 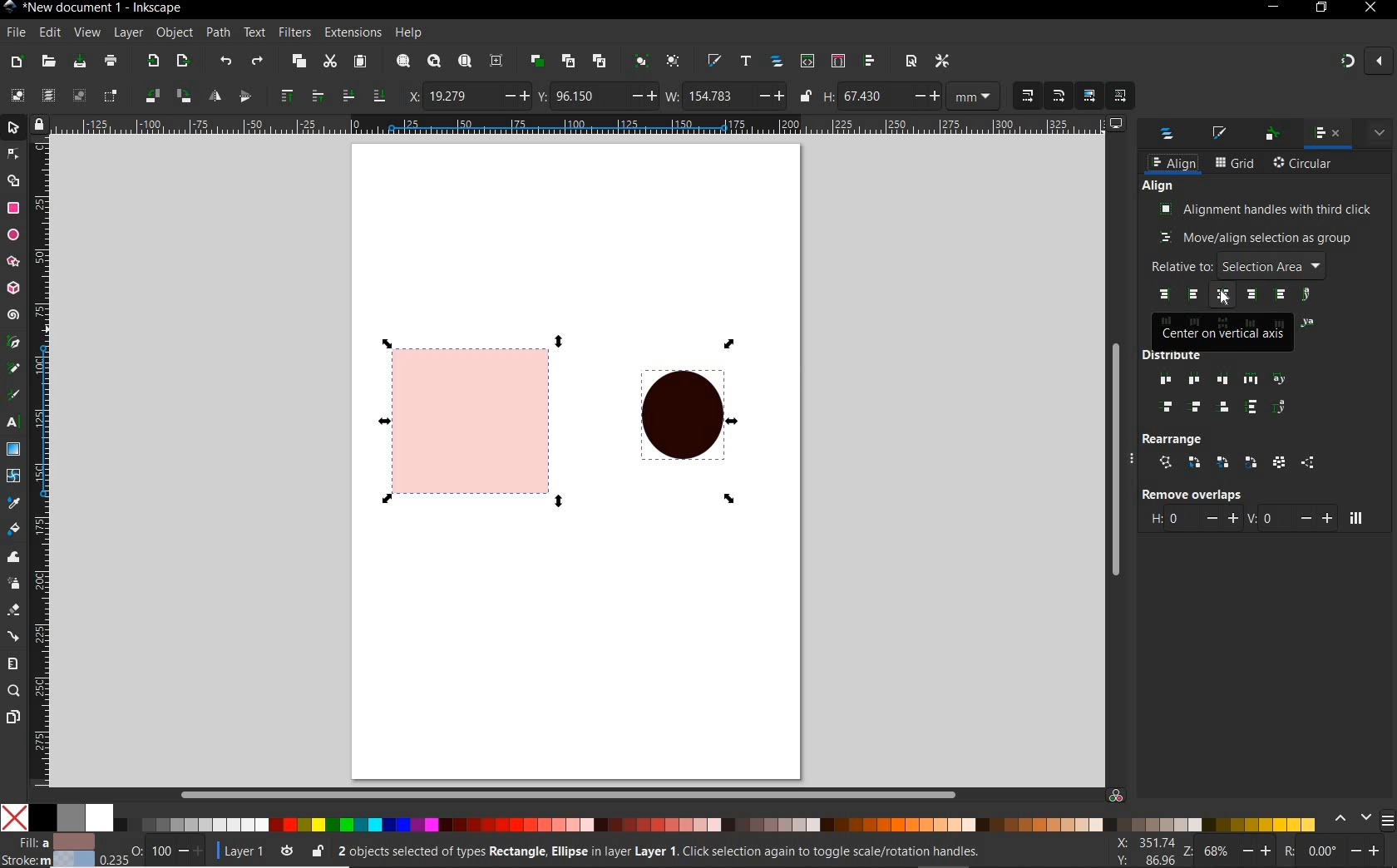 What do you see at coordinates (13, 528) in the screenshot?
I see `paint bucket tool` at bounding box center [13, 528].